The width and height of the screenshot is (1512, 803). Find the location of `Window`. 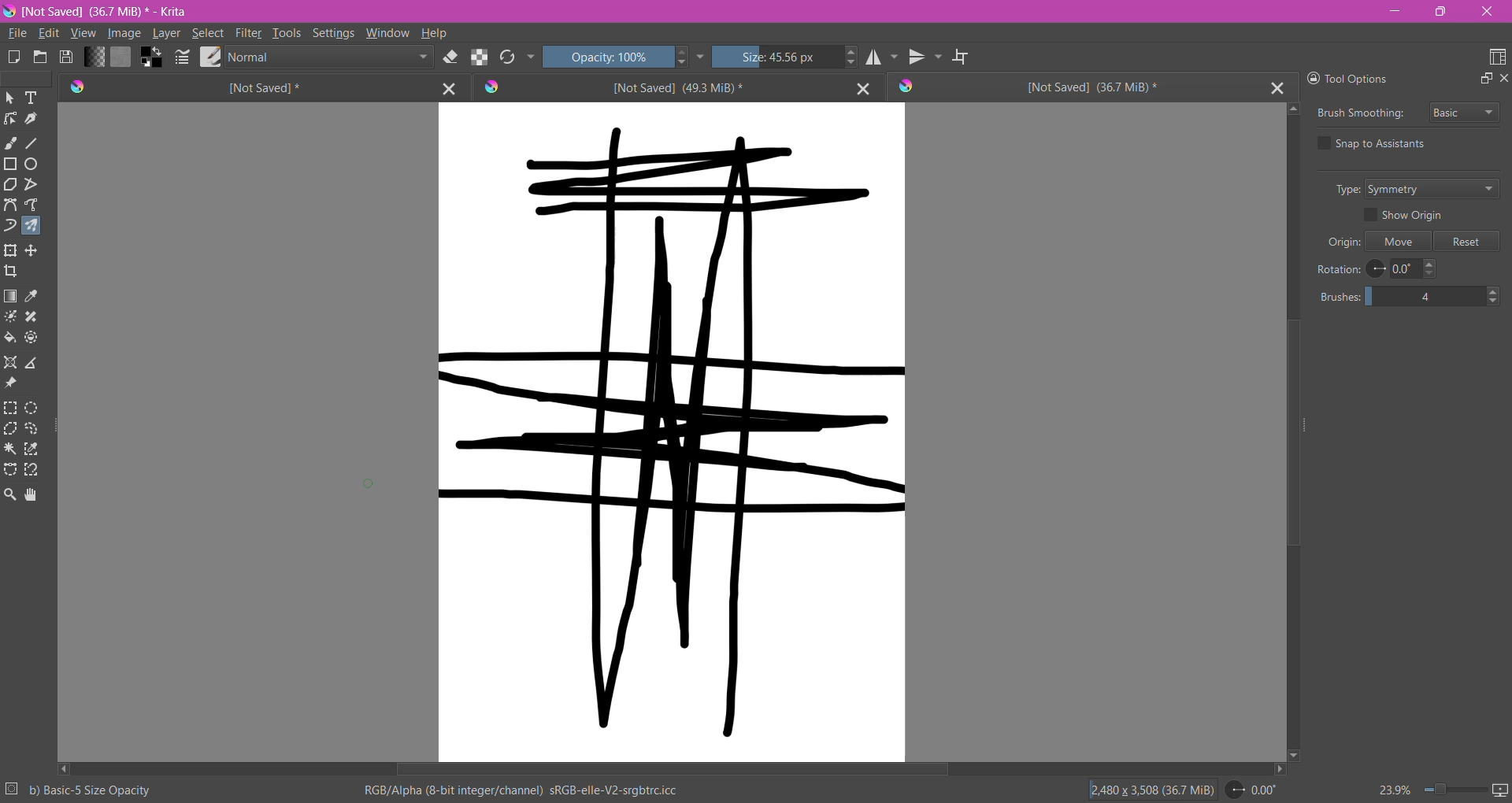

Window is located at coordinates (388, 32).